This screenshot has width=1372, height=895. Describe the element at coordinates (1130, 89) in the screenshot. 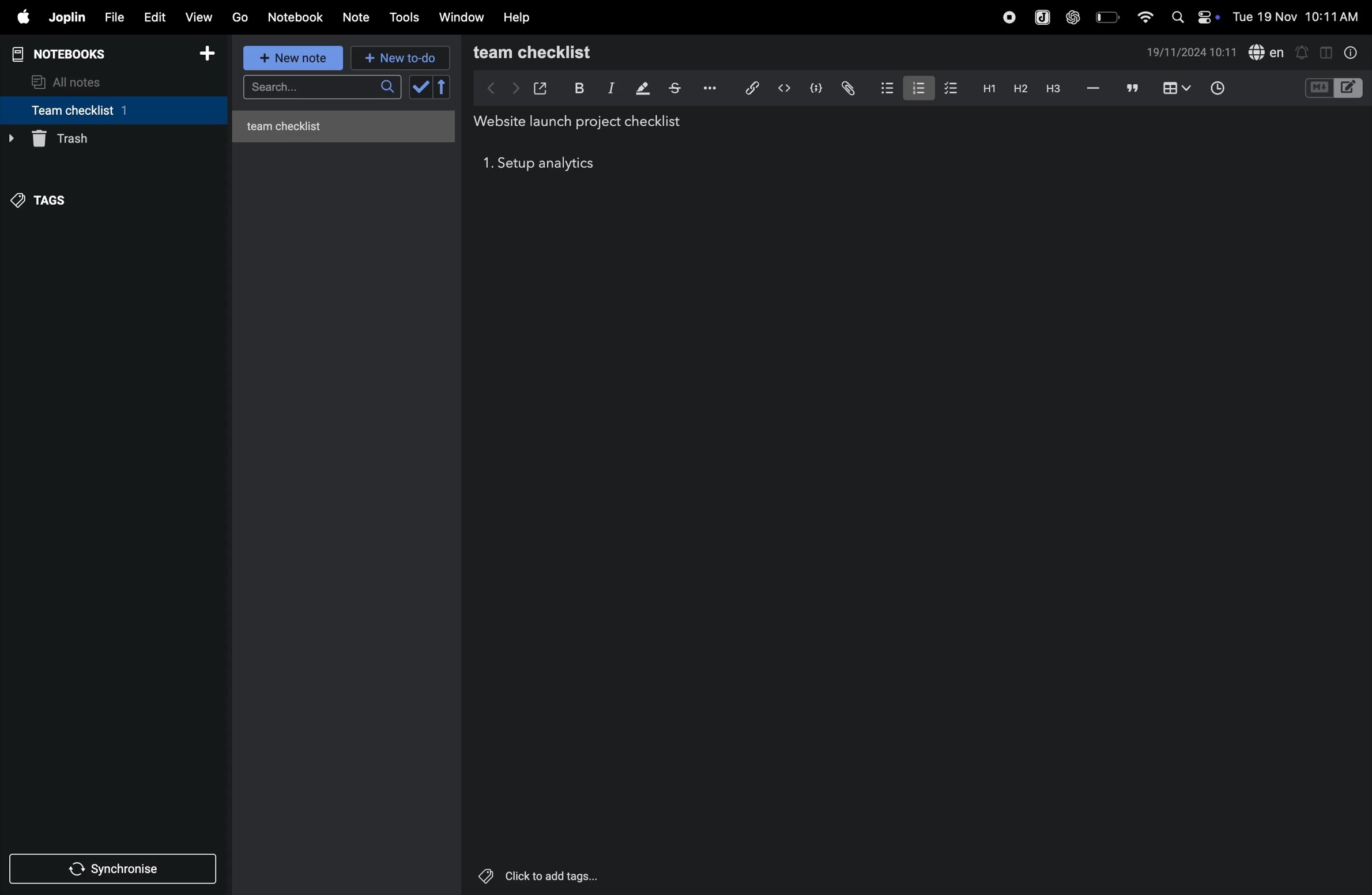

I see `comments` at that location.